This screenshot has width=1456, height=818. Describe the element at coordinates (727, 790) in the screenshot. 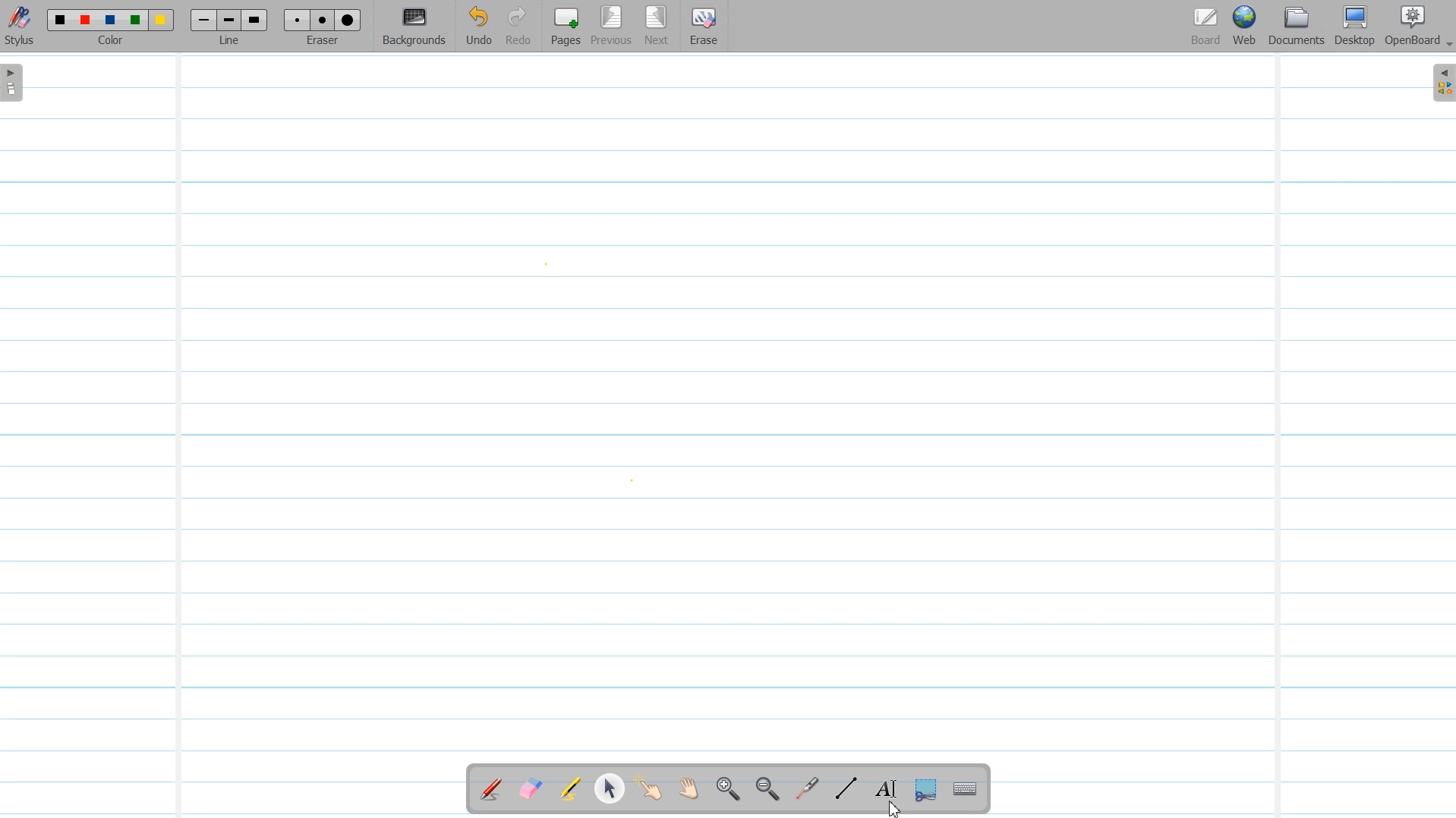

I see `Zoom In` at that location.